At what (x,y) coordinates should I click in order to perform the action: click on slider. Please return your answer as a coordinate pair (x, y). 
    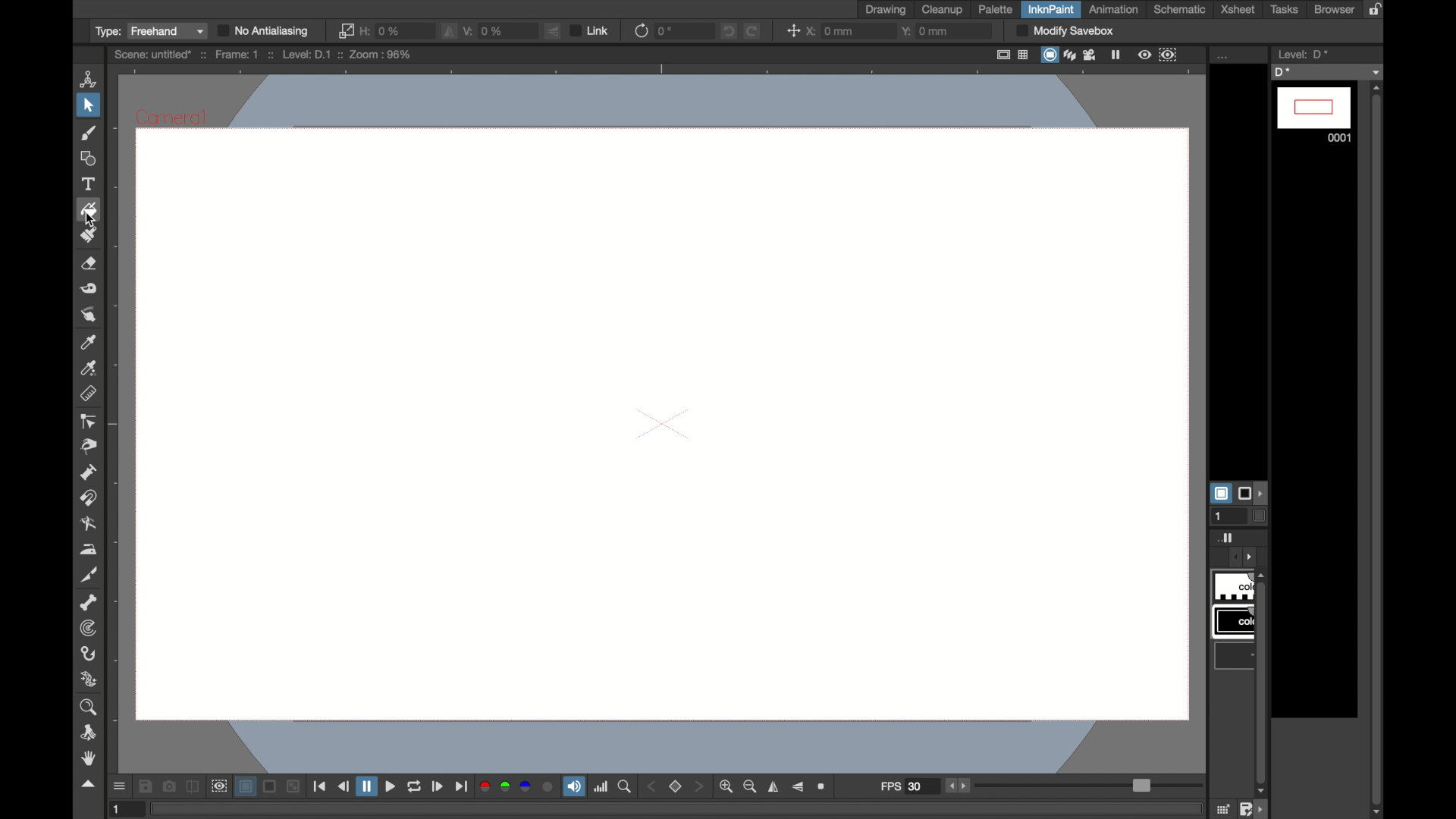
    Looking at the image, I should click on (1088, 786).